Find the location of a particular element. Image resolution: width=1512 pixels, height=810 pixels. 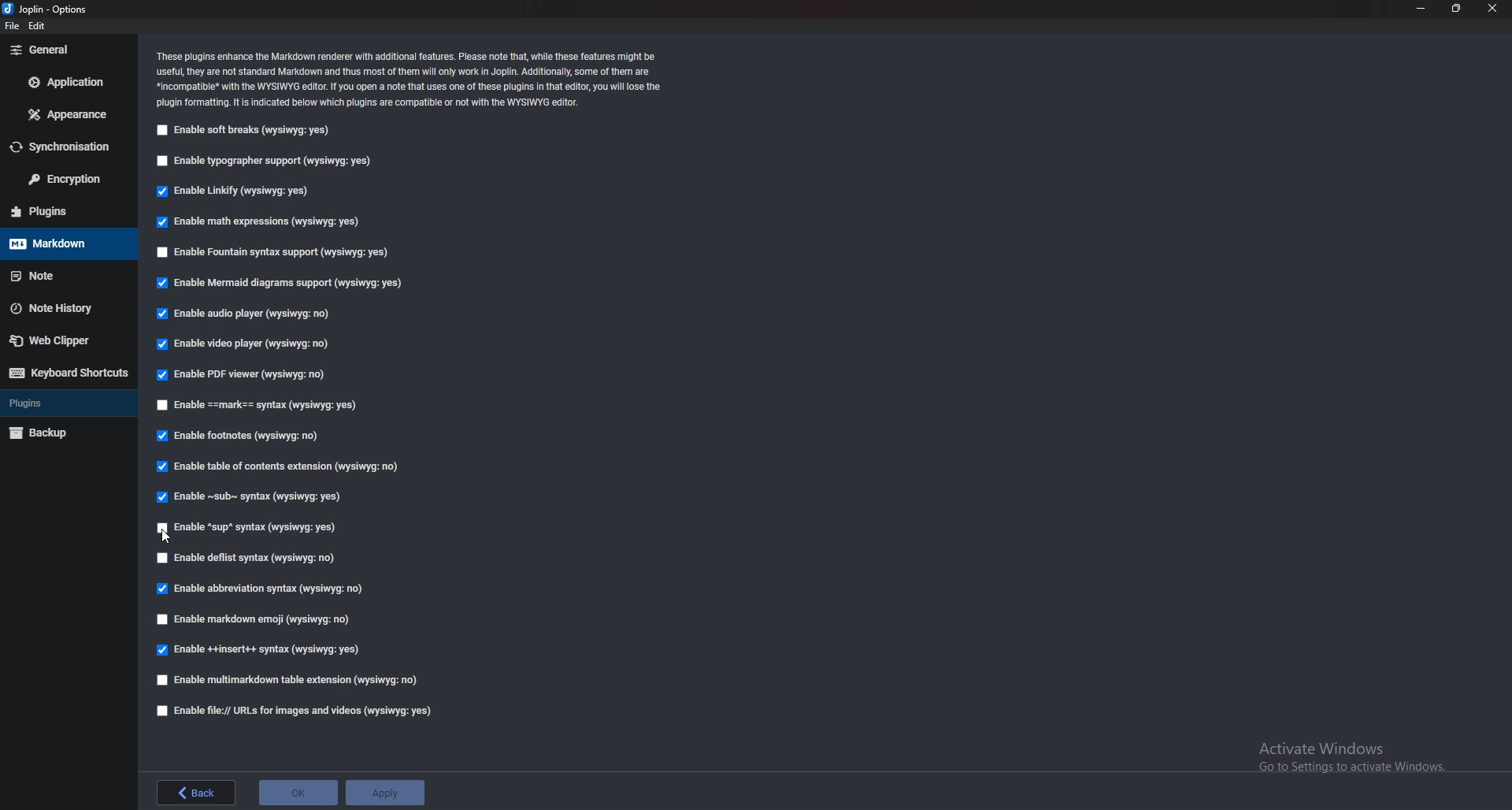

Note history is located at coordinates (58, 310).